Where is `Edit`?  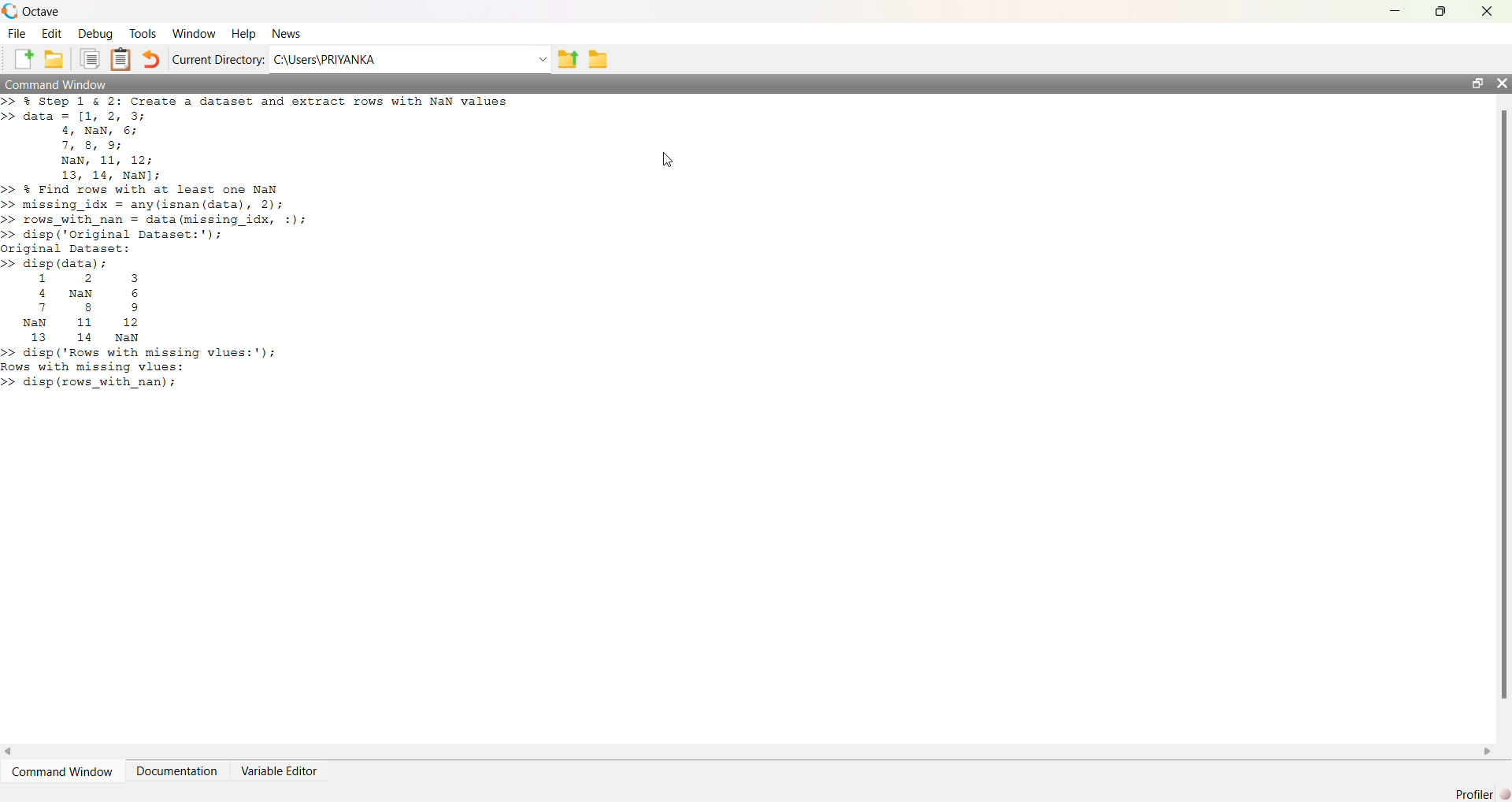
Edit is located at coordinates (52, 34).